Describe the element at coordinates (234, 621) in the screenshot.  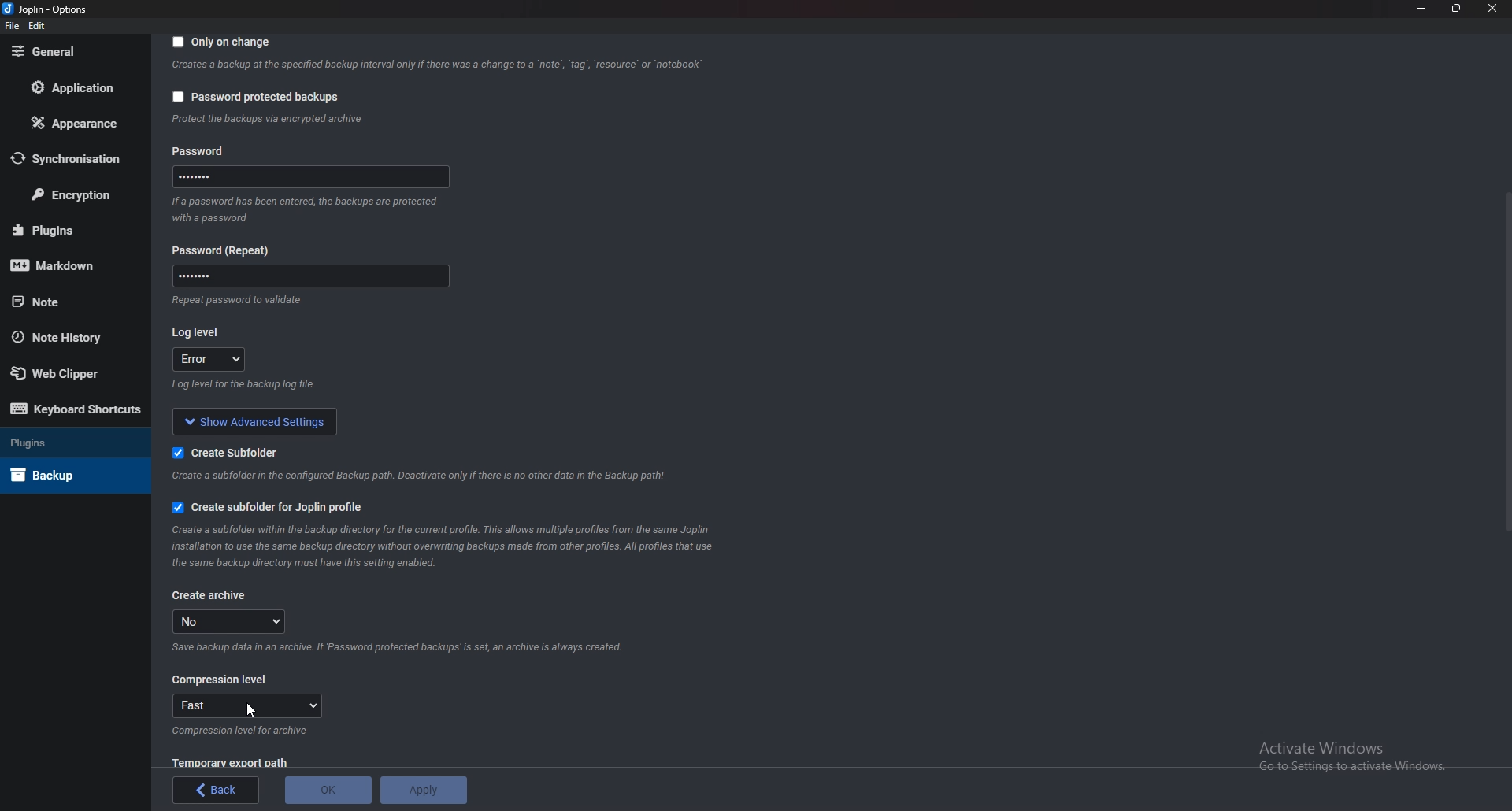
I see `no` at that location.